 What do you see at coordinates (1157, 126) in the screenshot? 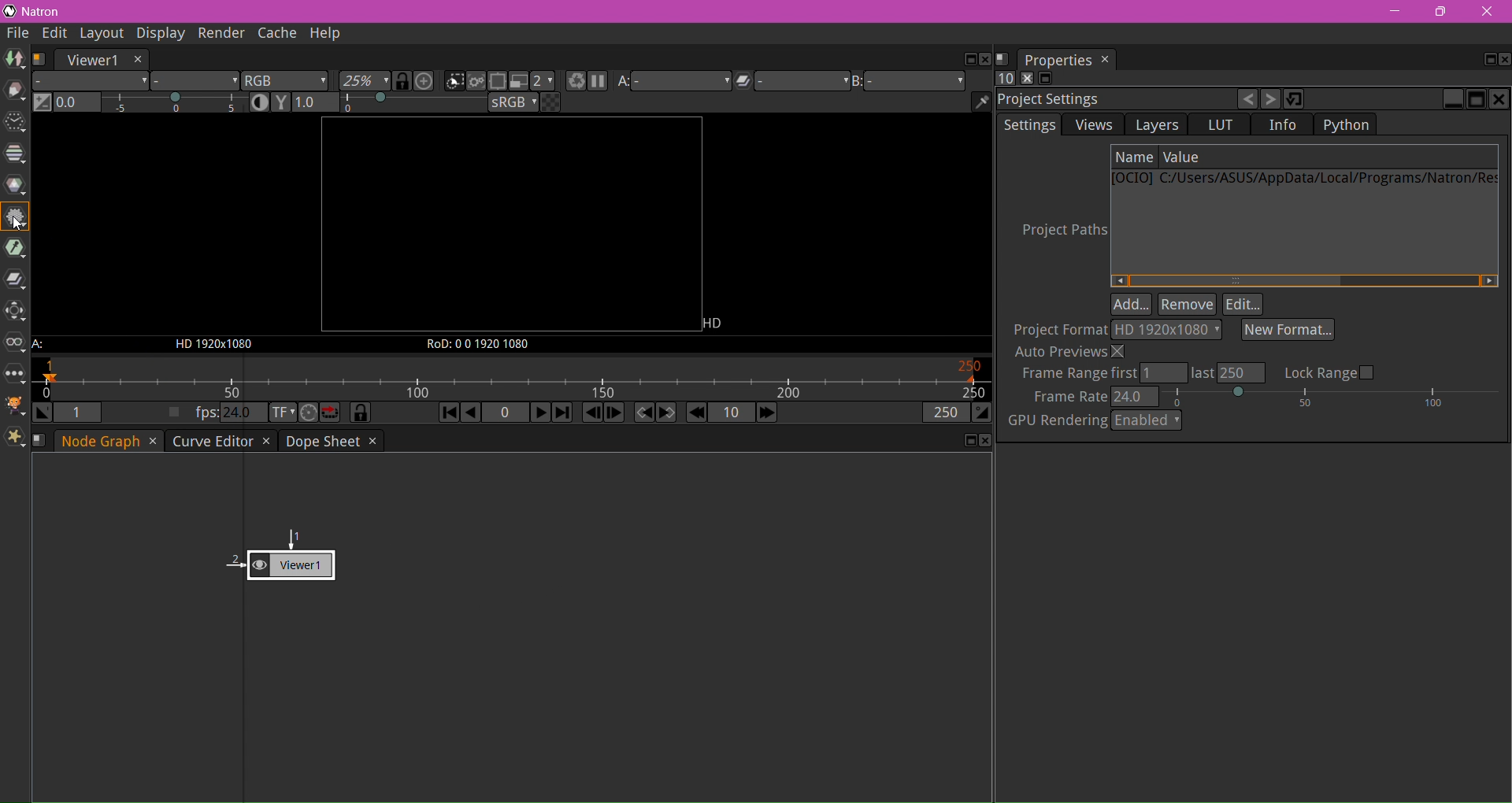
I see `Layers` at bounding box center [1157, 126].